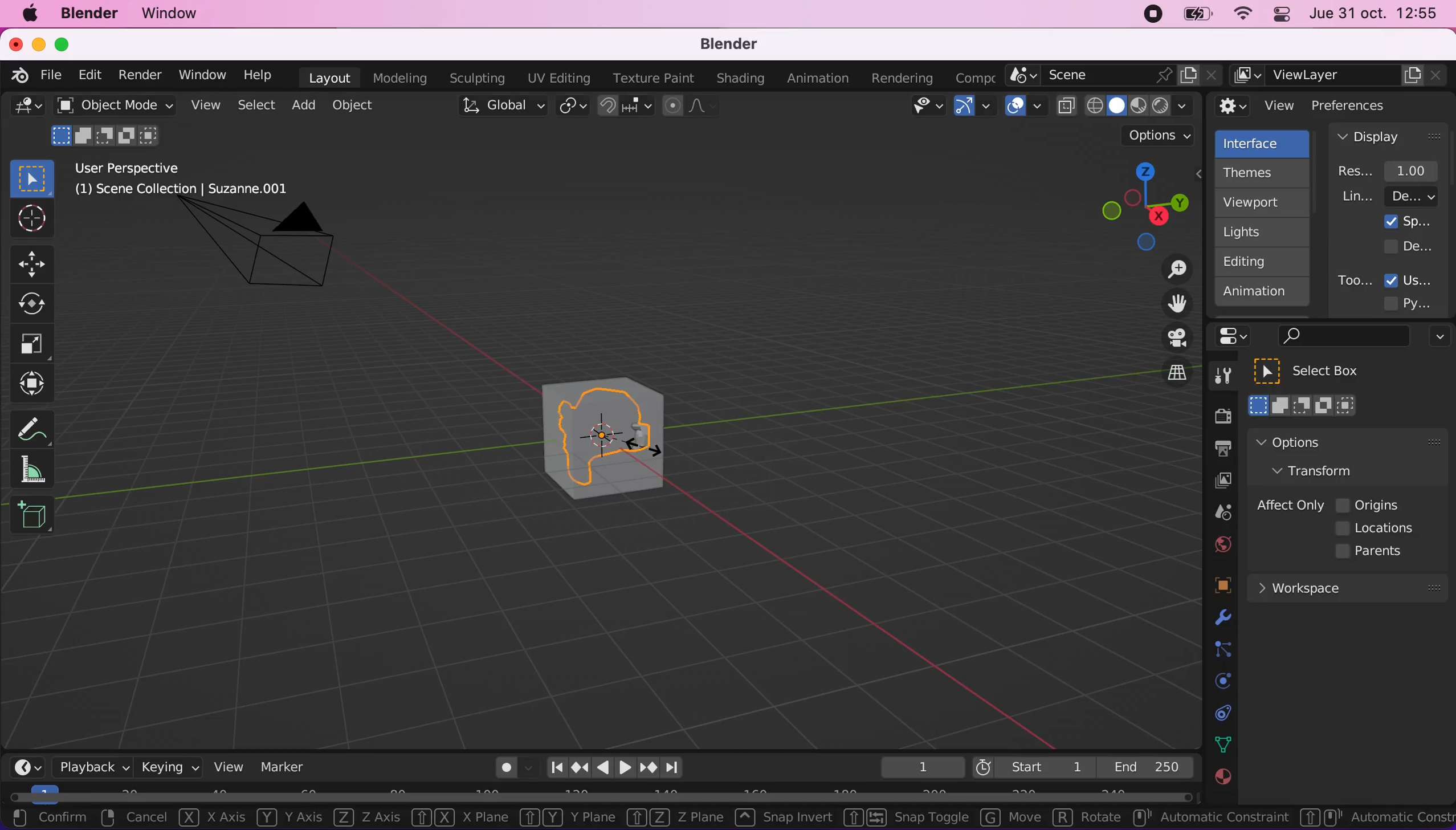  I want to click on texture, so click(1221, 783).